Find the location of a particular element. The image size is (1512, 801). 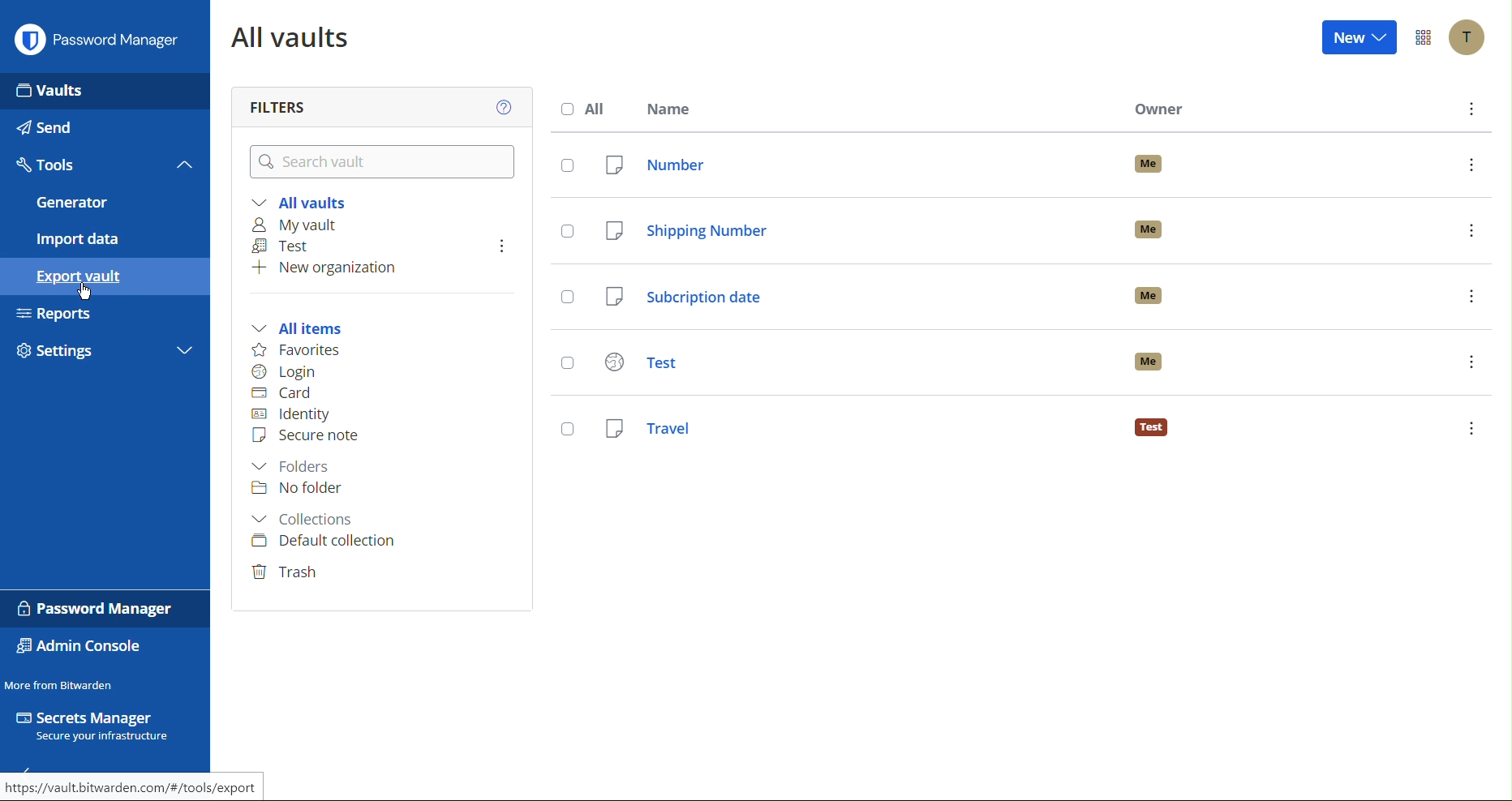

My vault is located at coordinates (302, 226).